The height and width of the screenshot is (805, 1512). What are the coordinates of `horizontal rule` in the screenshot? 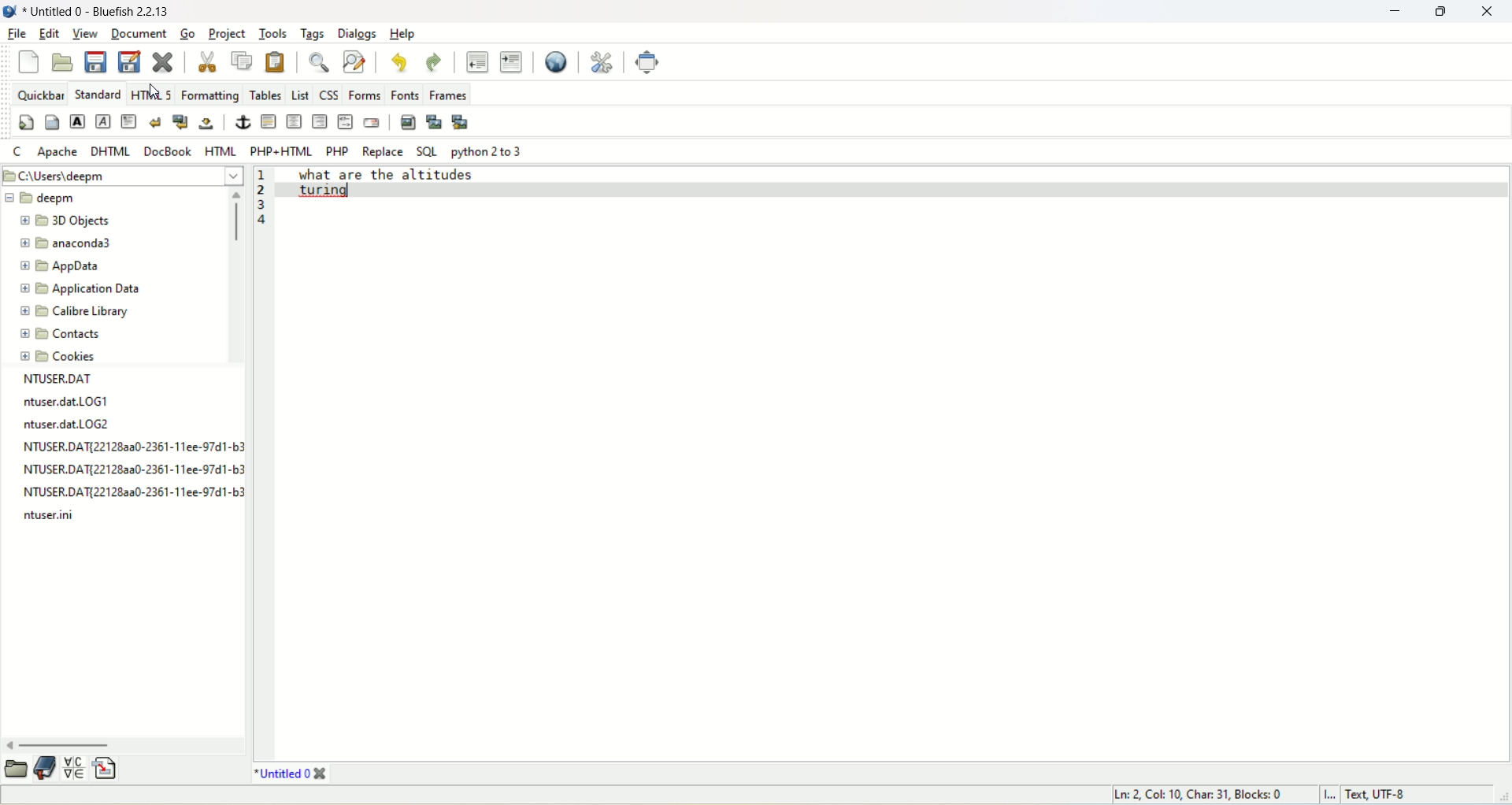 It's located at (270, 124).